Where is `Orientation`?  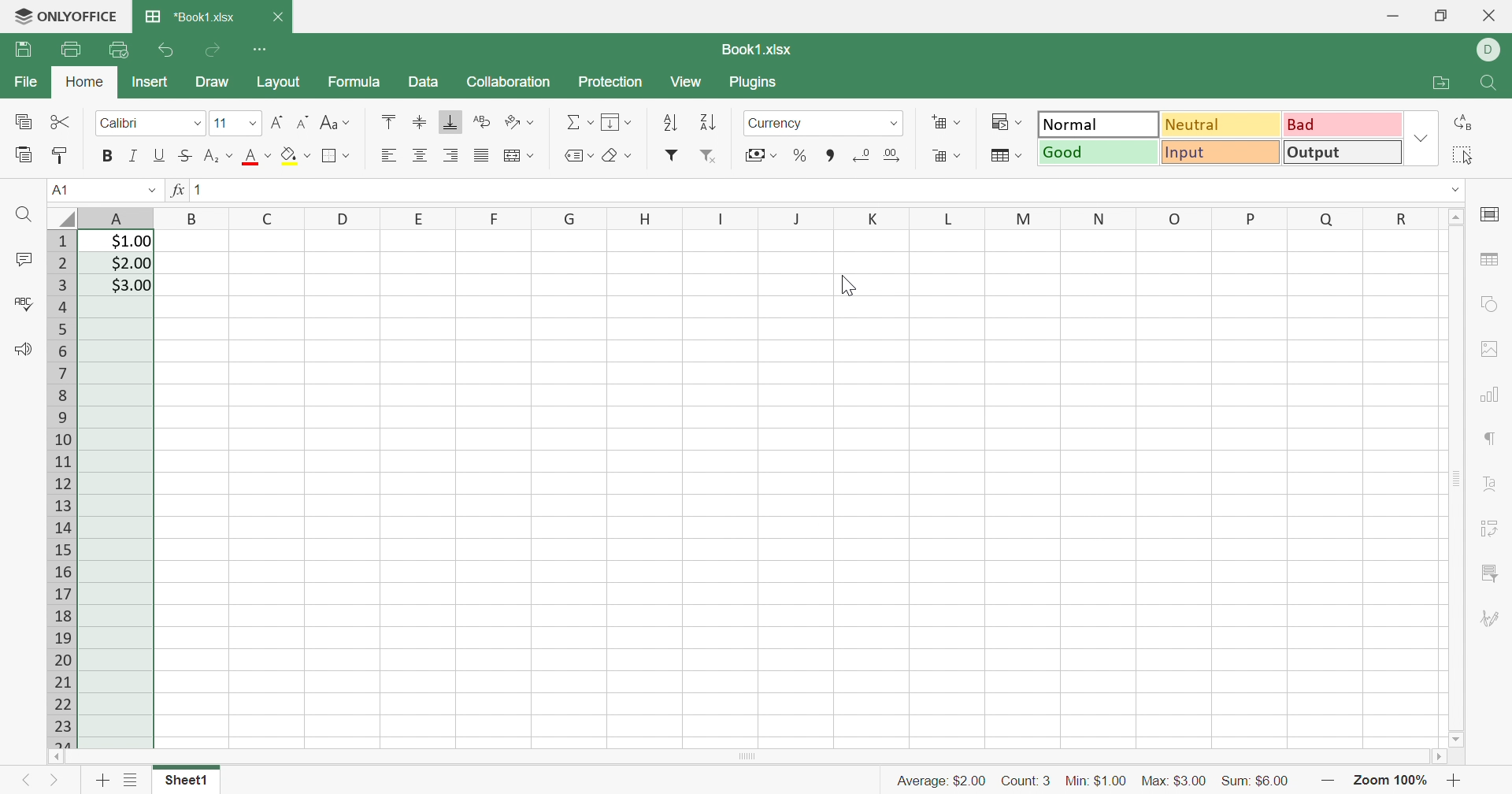
Orientation is located at coordinates (520, 123).